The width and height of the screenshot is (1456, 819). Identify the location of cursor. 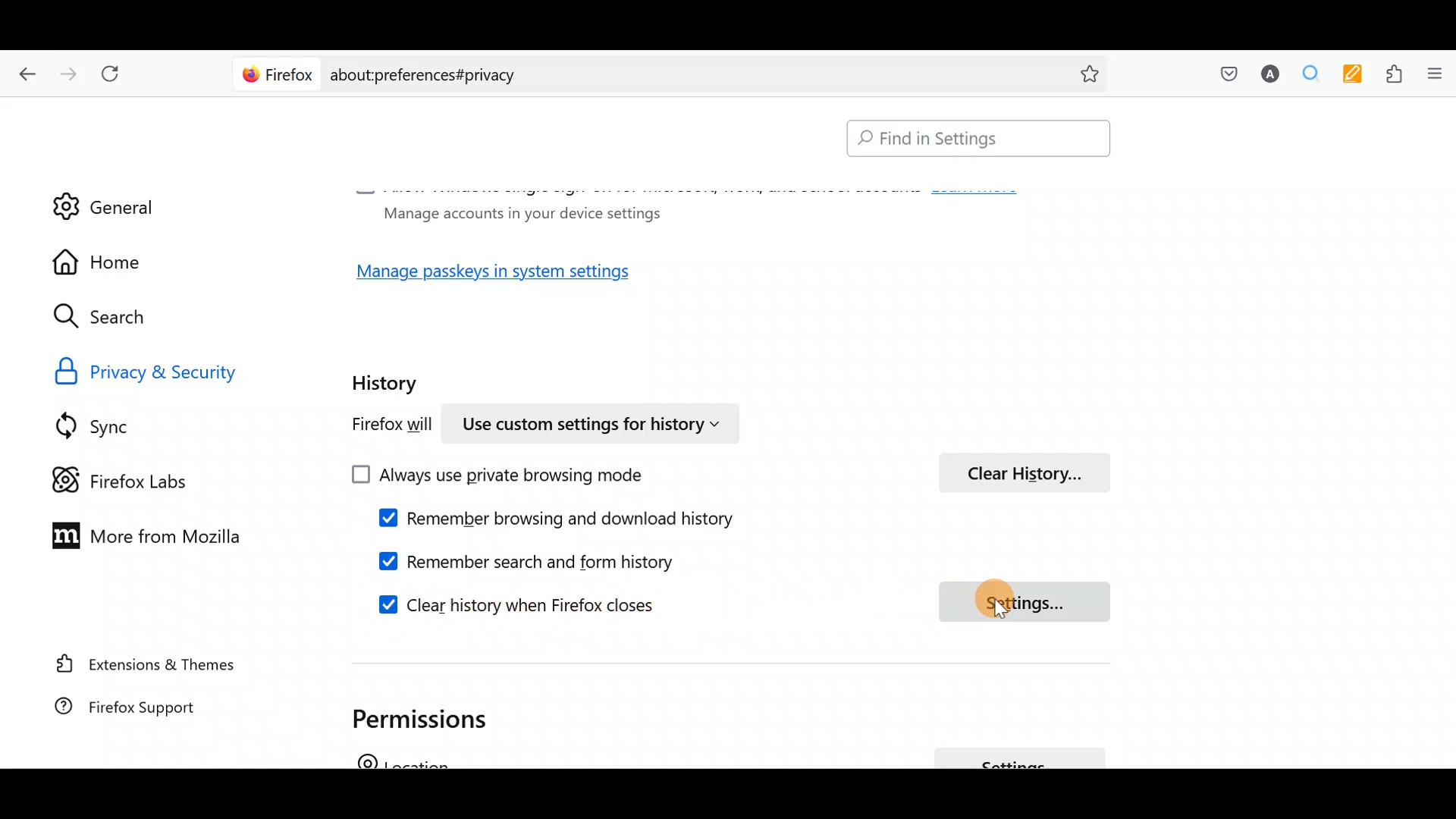
(1005, 613).